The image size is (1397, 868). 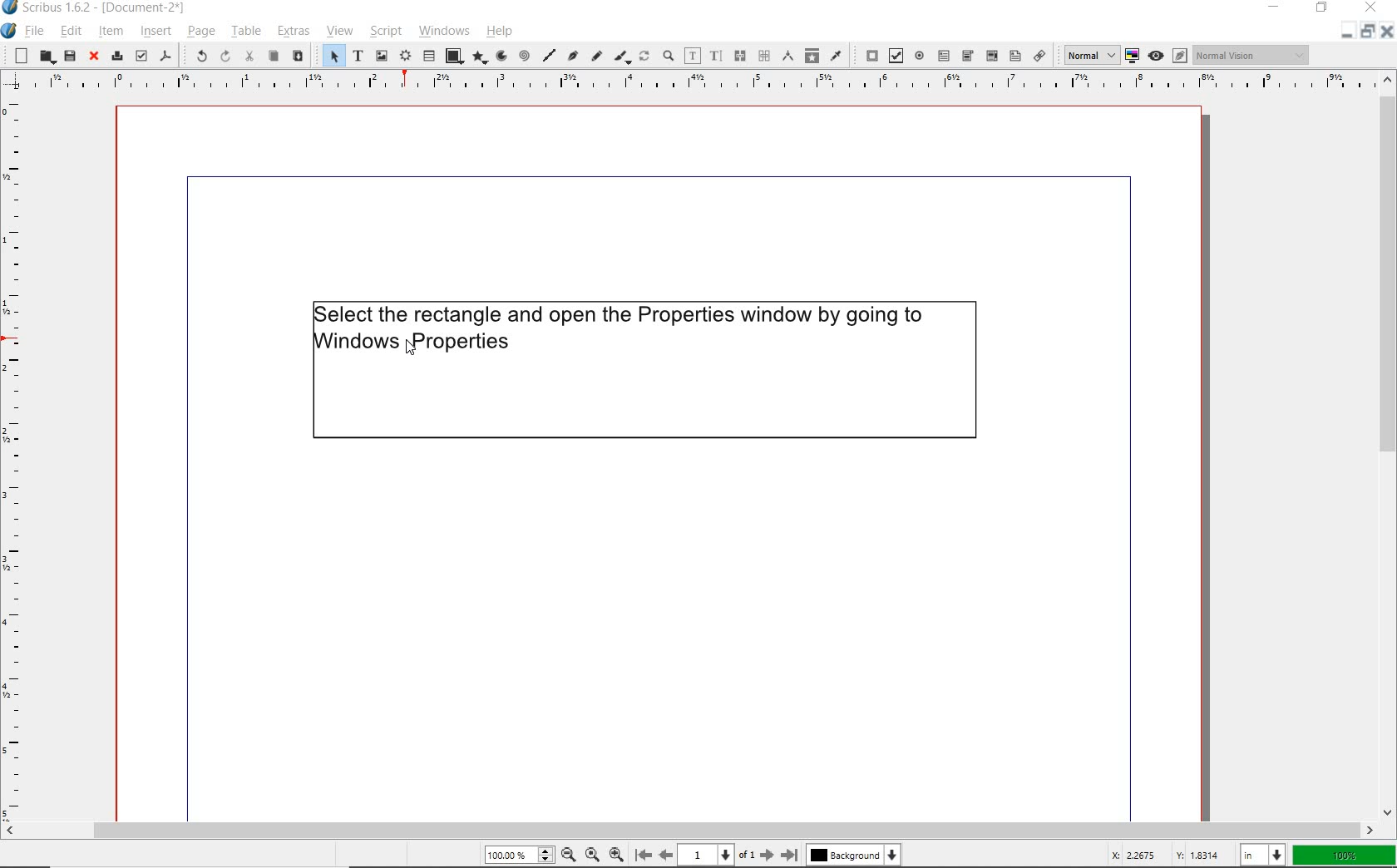 What do you see at coordinates (640, 370) in the screenshot?
I see `elect the rectangle and open the Properties window by going to Windows Properties` at bounding box center [640, 370].